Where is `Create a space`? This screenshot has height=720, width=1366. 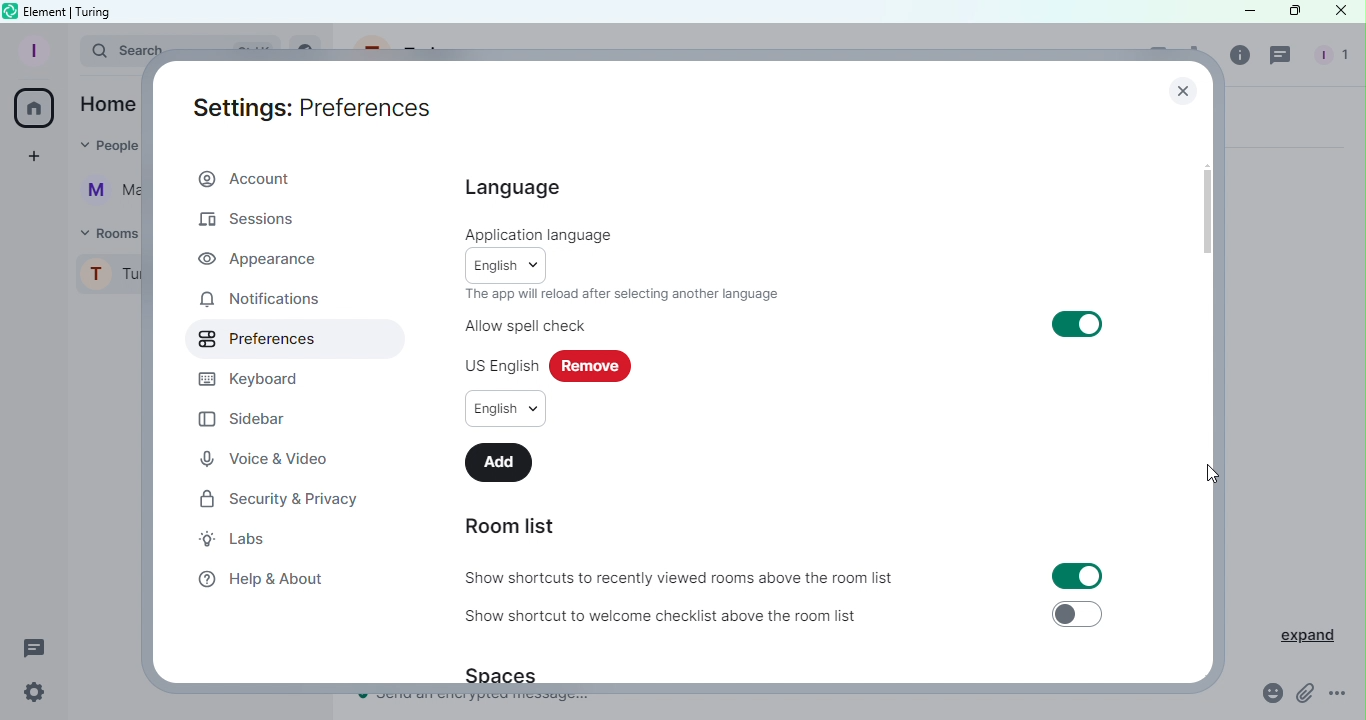
Create a space is located at coordinates (37, 156).